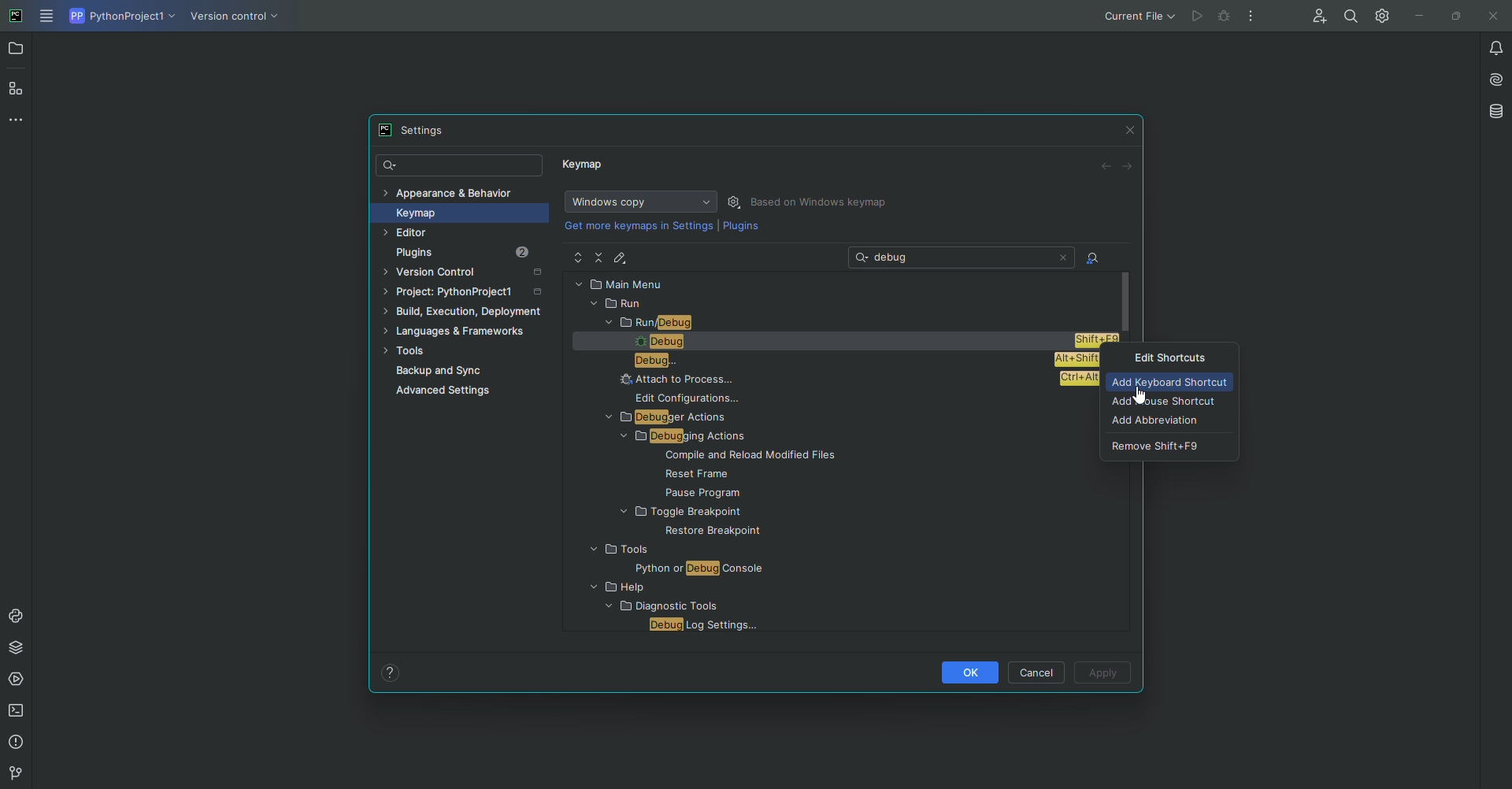 This screenshot has height=789, width=1512. I want to click on get more keymaps, so click(640, 225).